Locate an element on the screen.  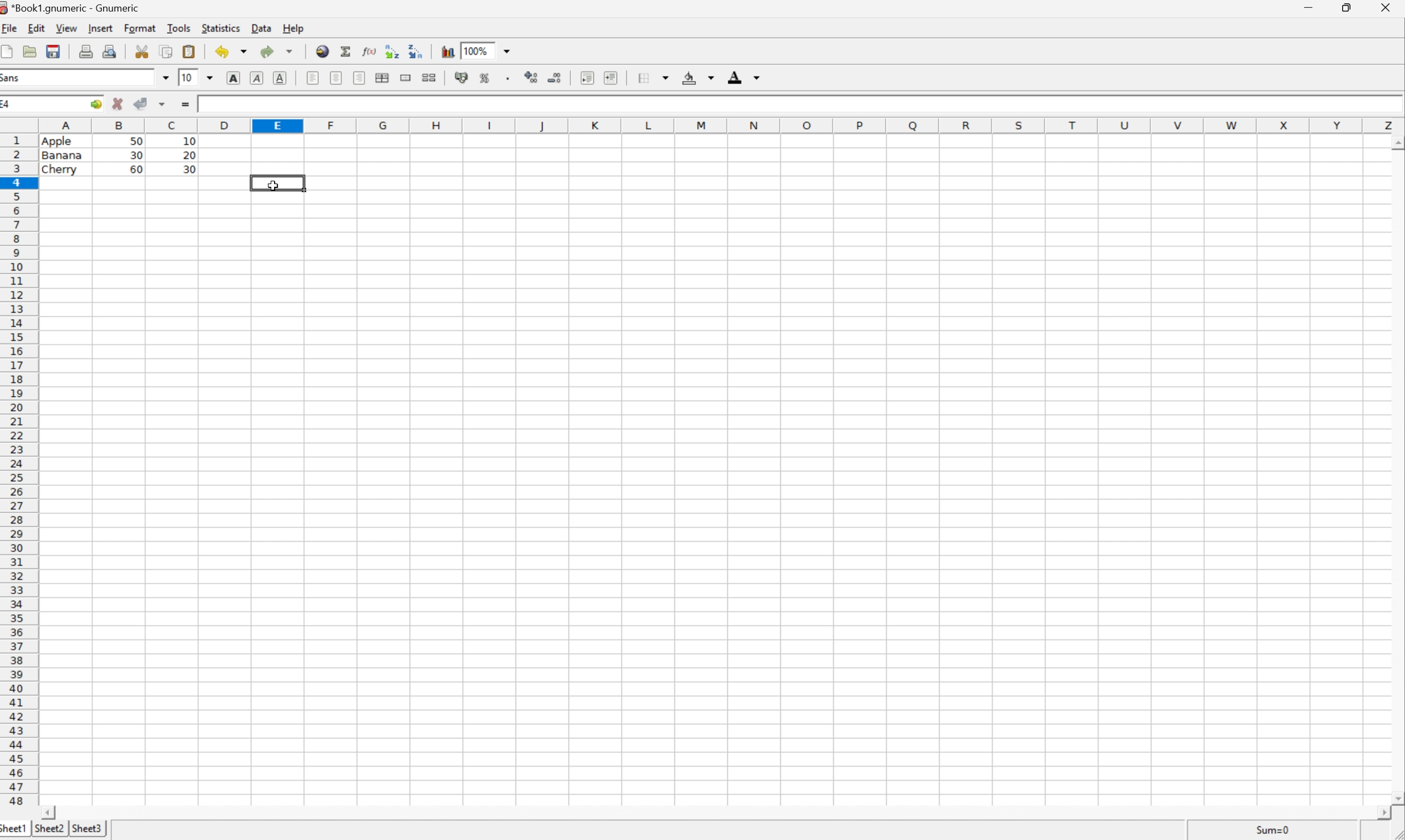
tabular data is located at coordinates (119, 155).